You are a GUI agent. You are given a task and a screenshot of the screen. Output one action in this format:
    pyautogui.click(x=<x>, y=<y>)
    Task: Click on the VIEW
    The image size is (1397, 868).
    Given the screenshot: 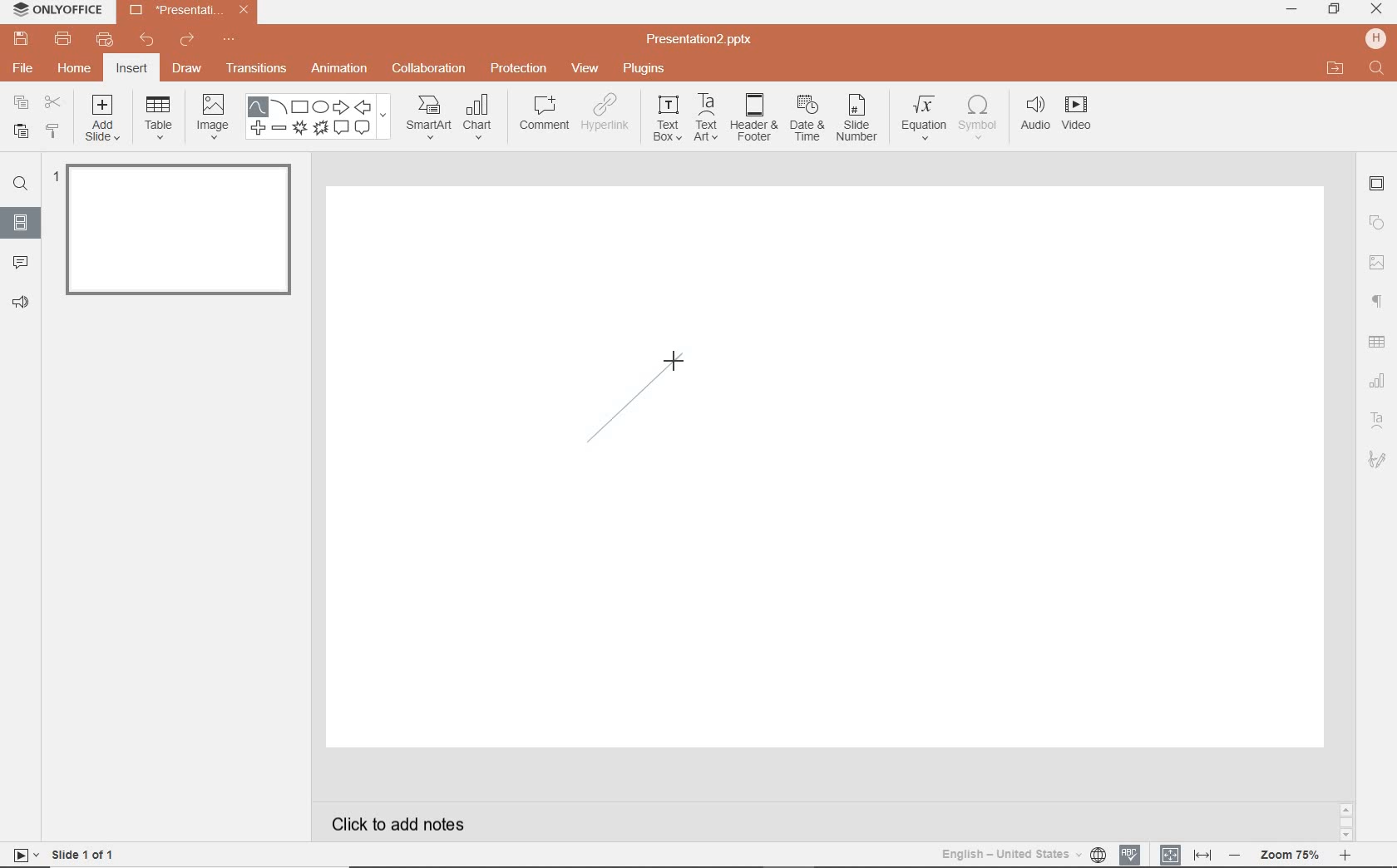 What is the action you would take?
    pyautogui.click(x=585, y=67)
    